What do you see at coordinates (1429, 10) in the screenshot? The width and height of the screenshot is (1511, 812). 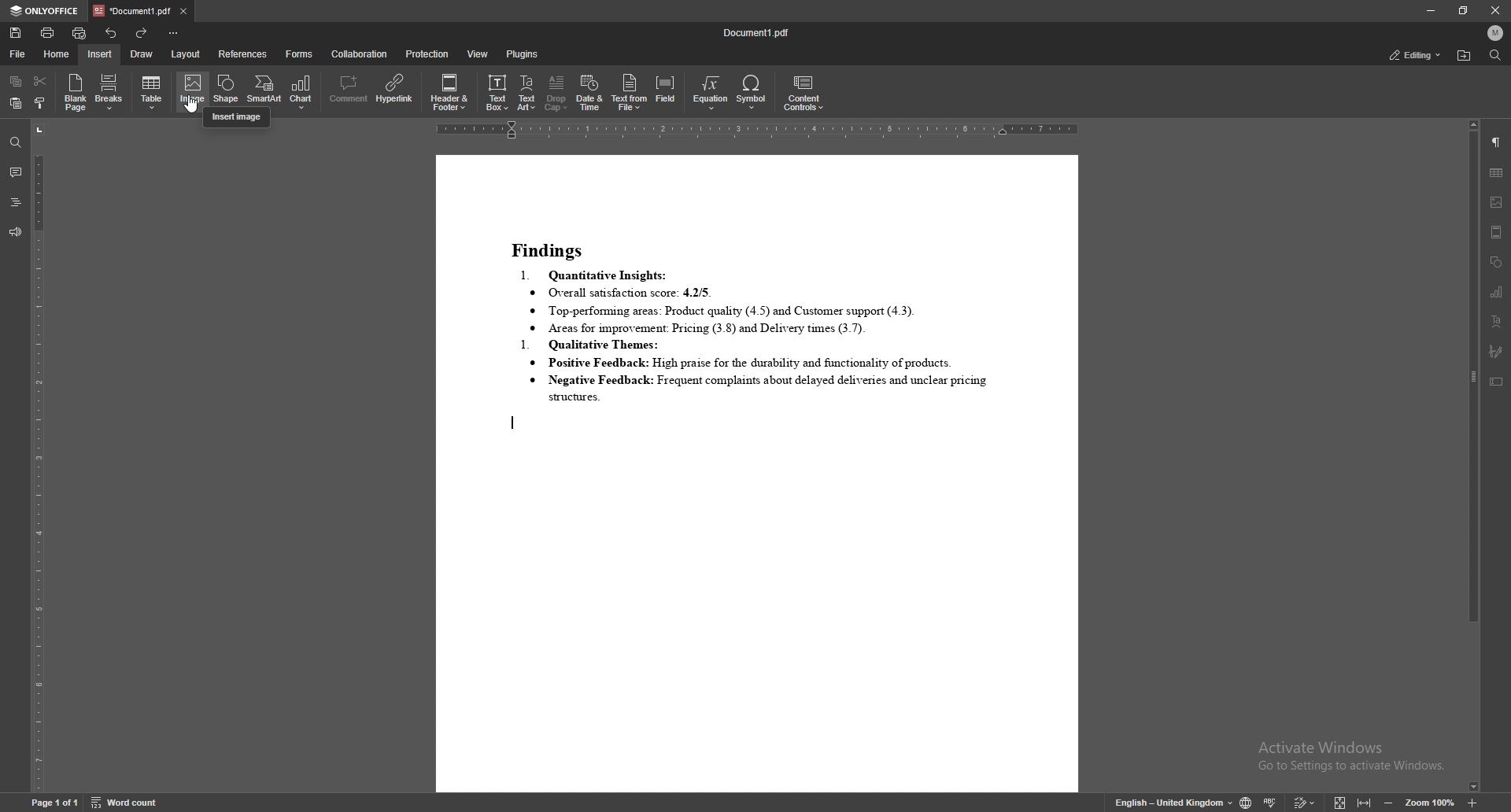 I see `minimize` at bounding box center [1429, 10].